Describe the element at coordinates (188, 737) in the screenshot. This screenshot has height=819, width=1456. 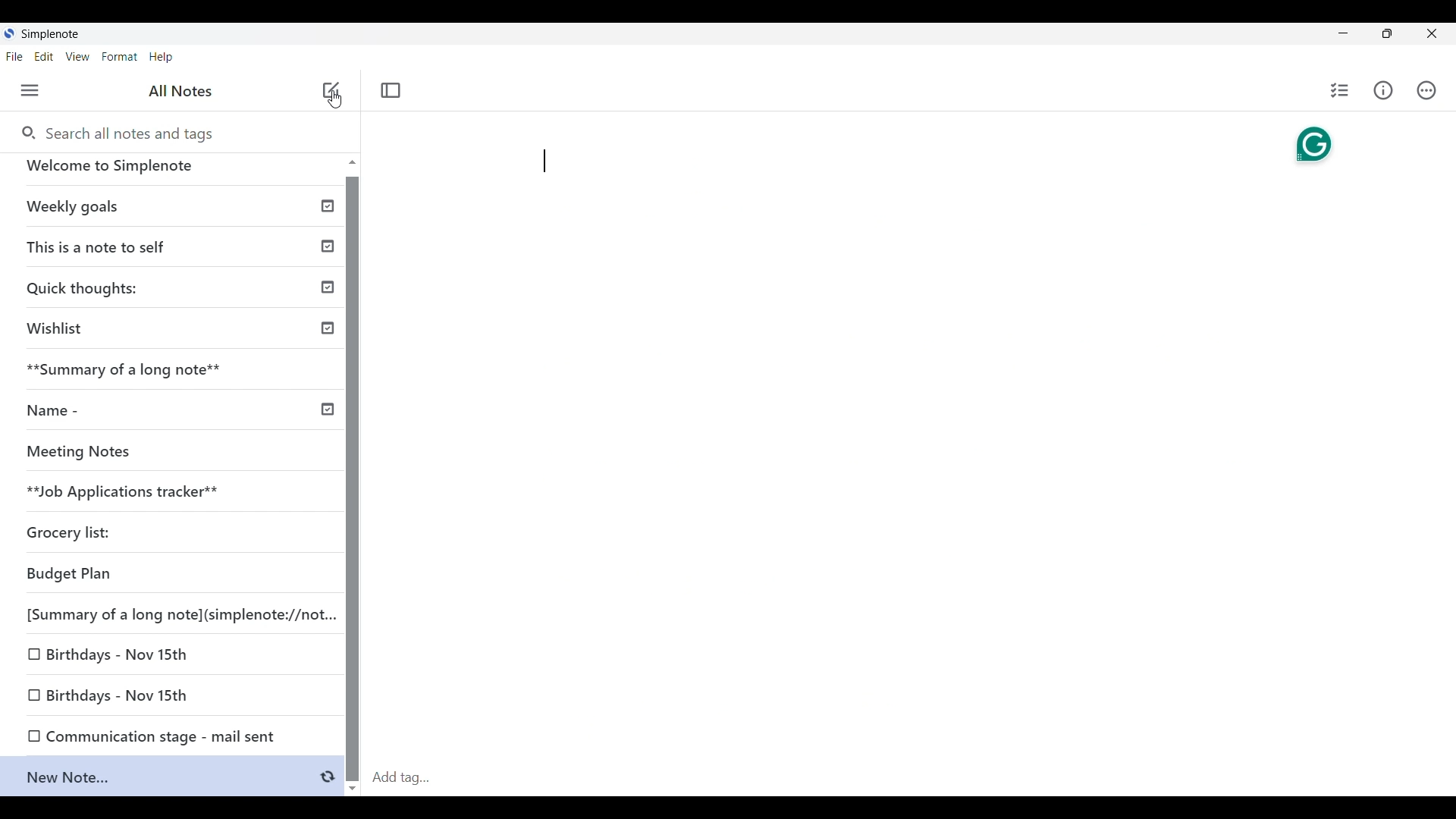
I see `Unpublished note` at that location.